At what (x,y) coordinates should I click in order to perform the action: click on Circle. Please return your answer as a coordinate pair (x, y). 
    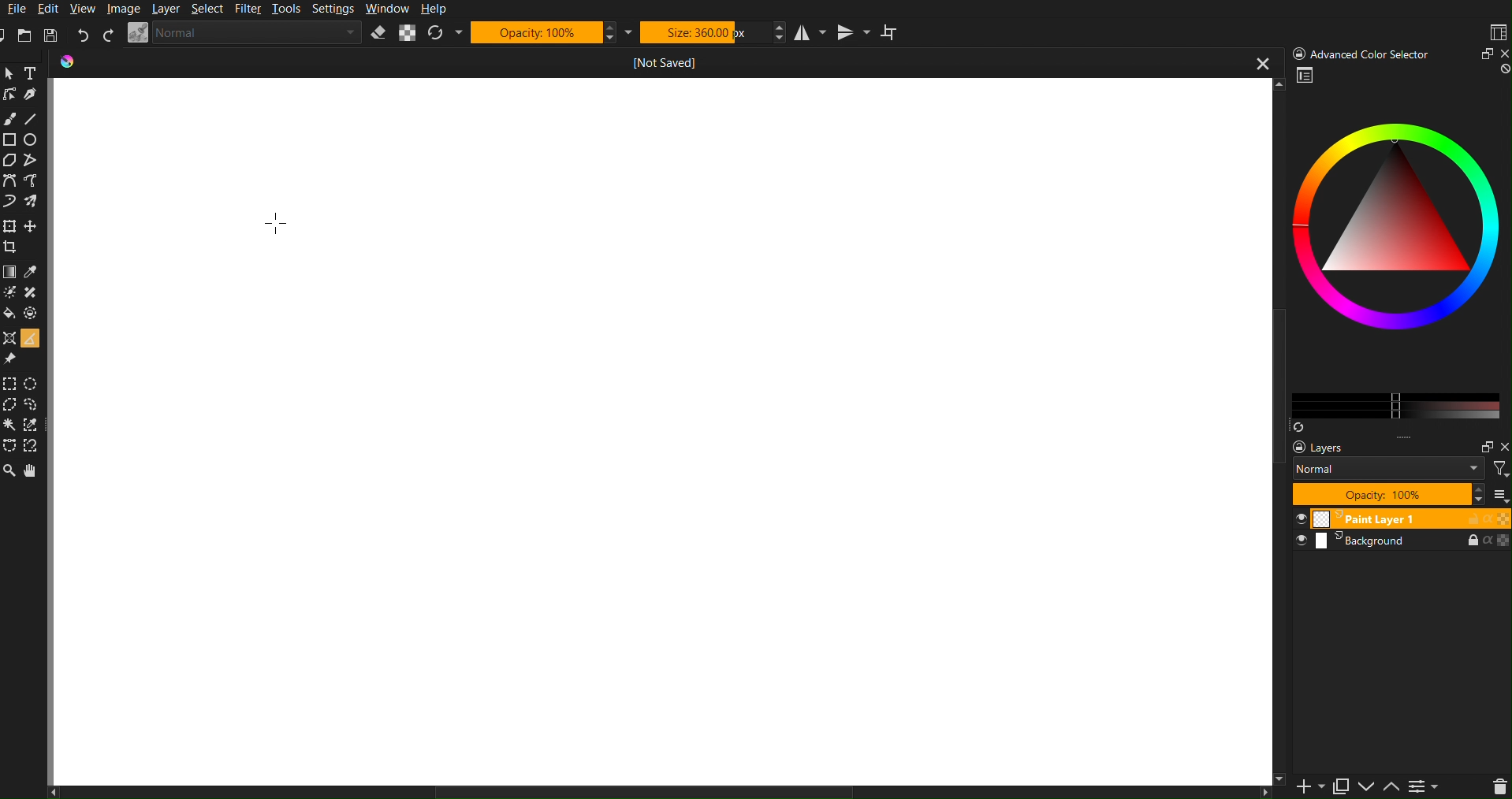
    Looking at the image, I should click on (33, 139).